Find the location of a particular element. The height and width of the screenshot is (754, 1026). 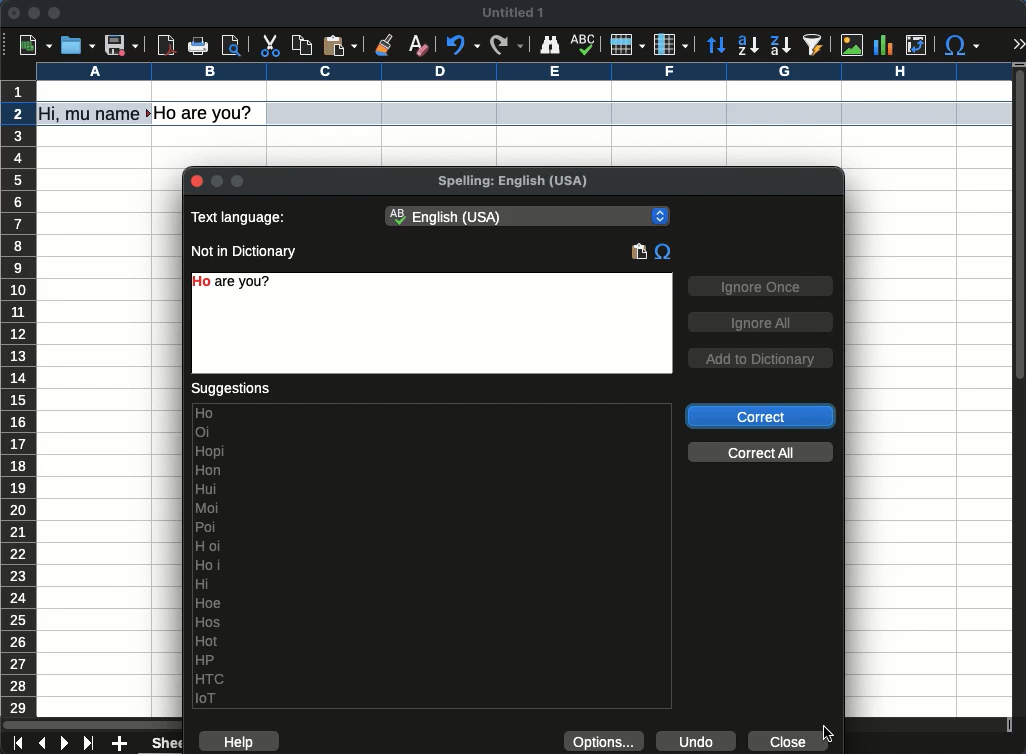

sort is located at coordinates (716, 46).